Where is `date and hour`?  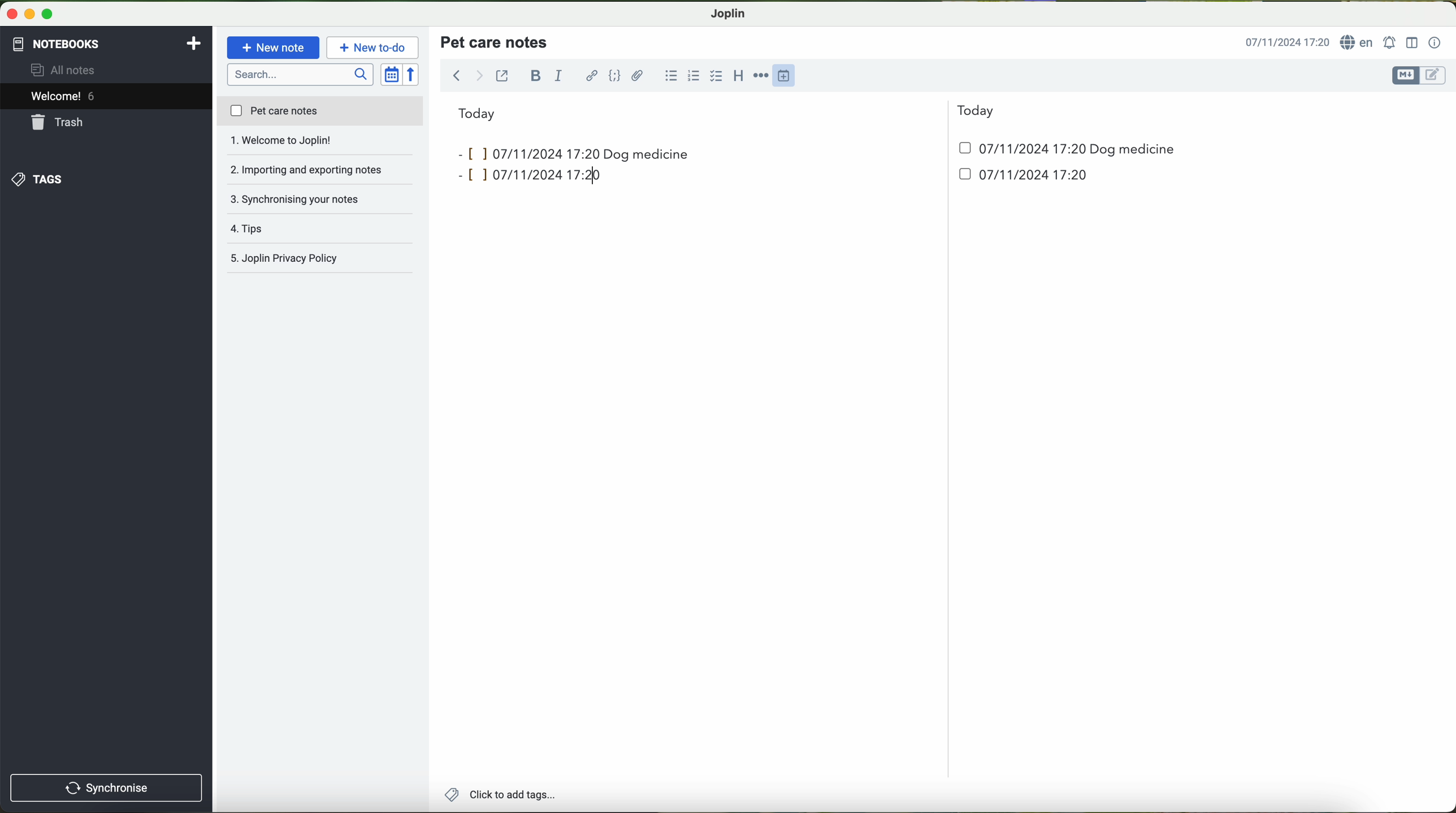 date and hour is located at coordinates (772, 178).